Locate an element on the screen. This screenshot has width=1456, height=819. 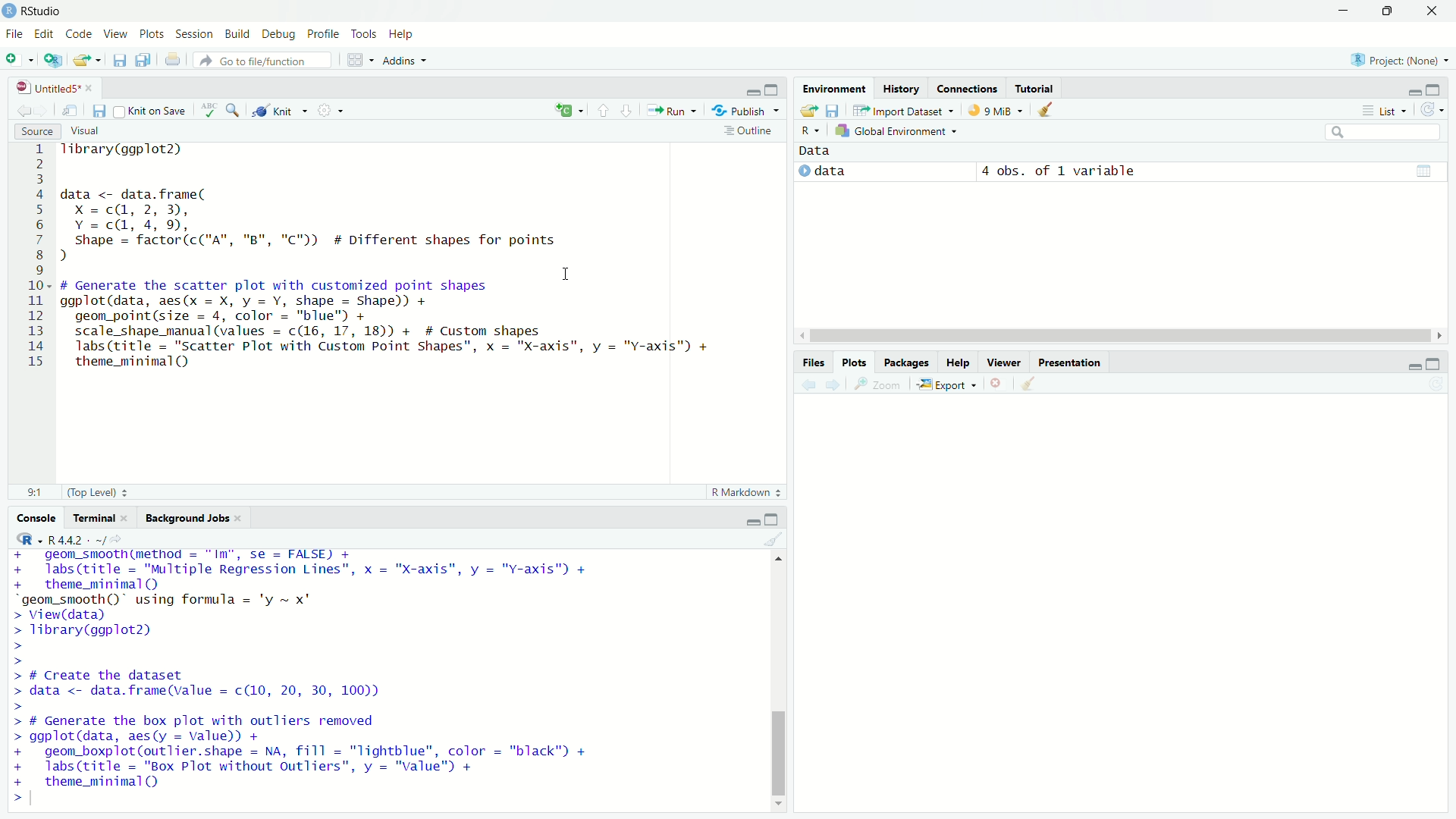
grid view is located at coordinates (1424, 171).